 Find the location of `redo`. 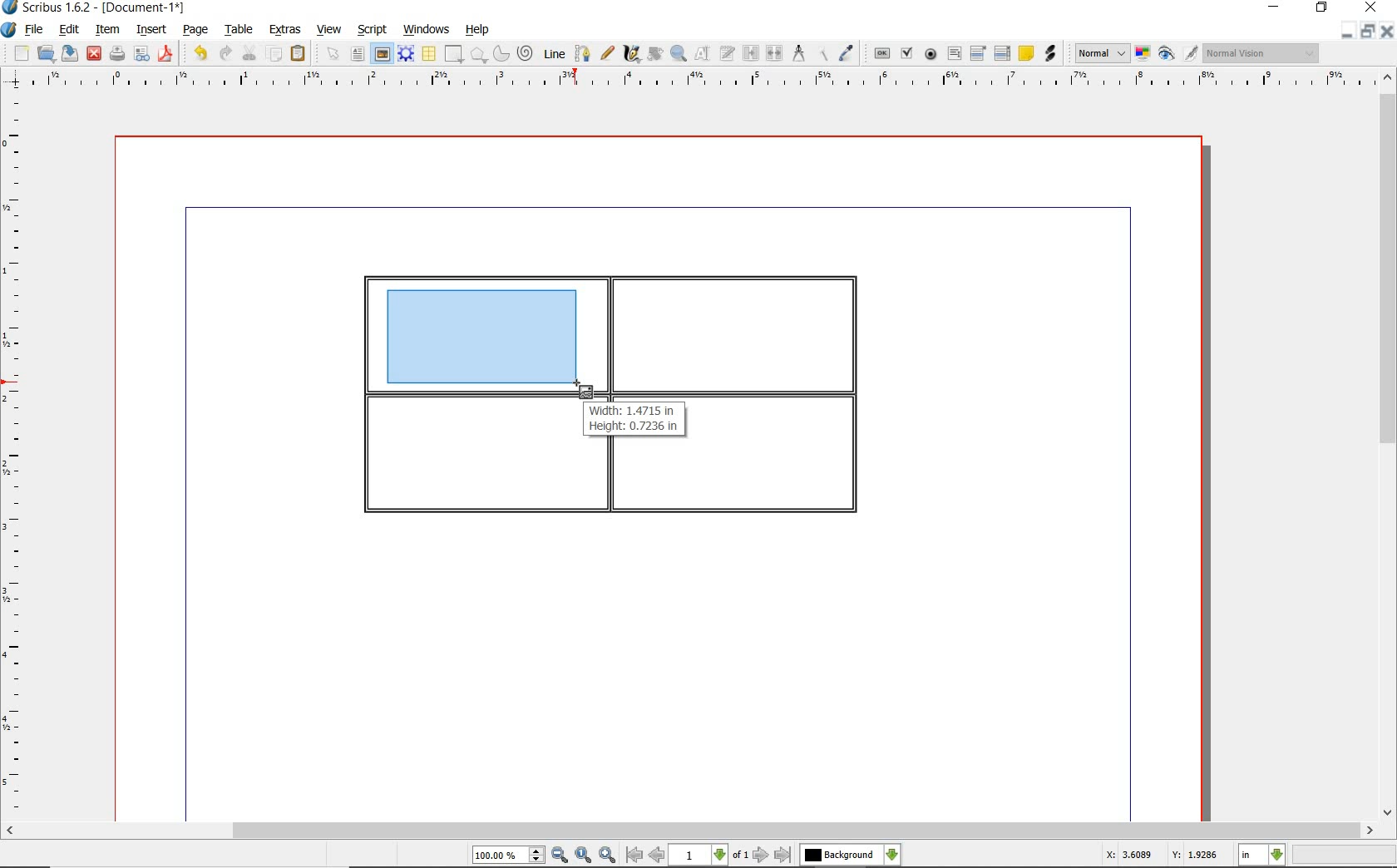

redo is located at coordinates (225, 52).